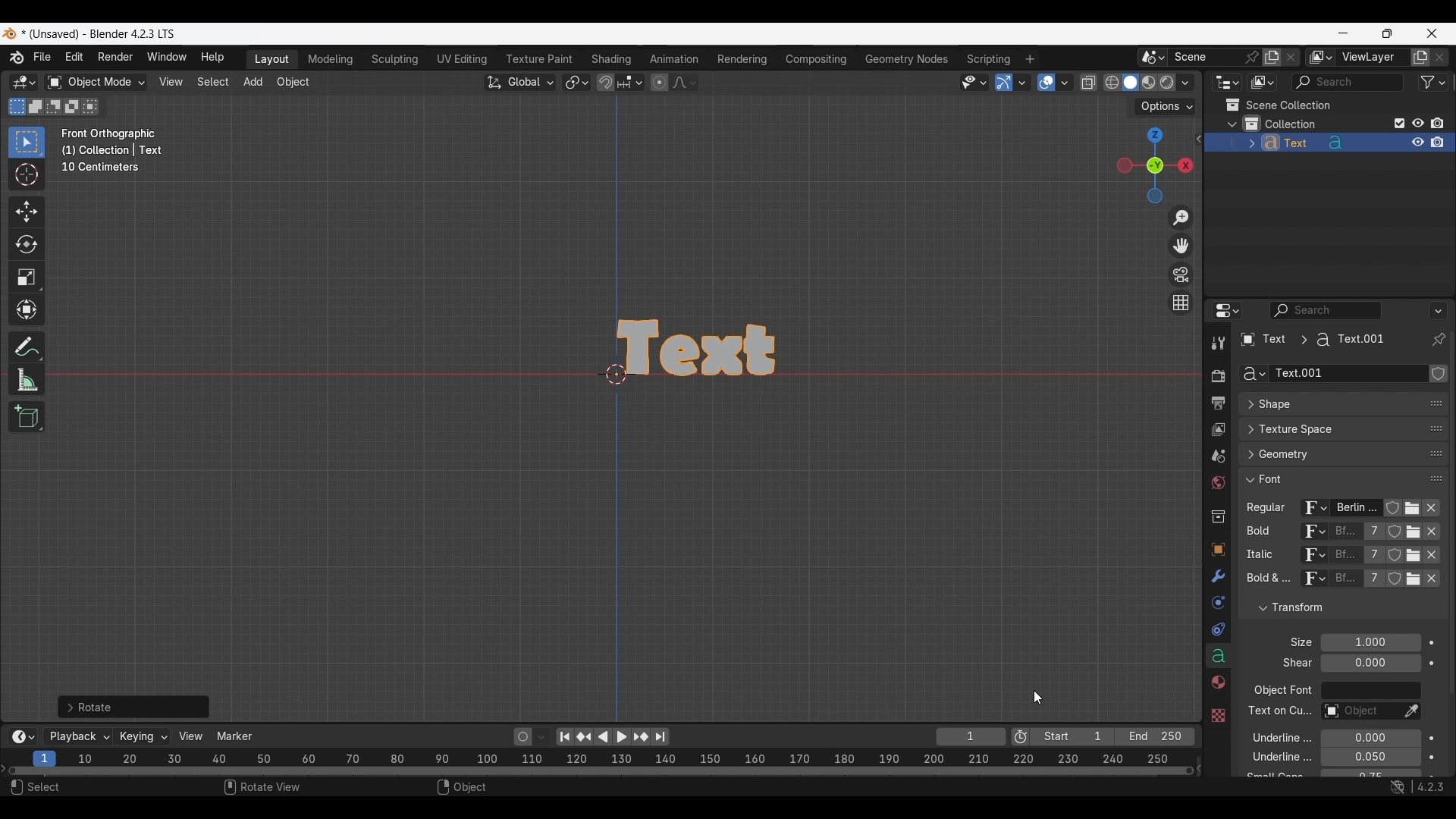 The height and width of the screenshot is (819, 1456). Describe the element at coordinates (463, 59) in the screenshot. I see `UV Editing workspace` at that location.